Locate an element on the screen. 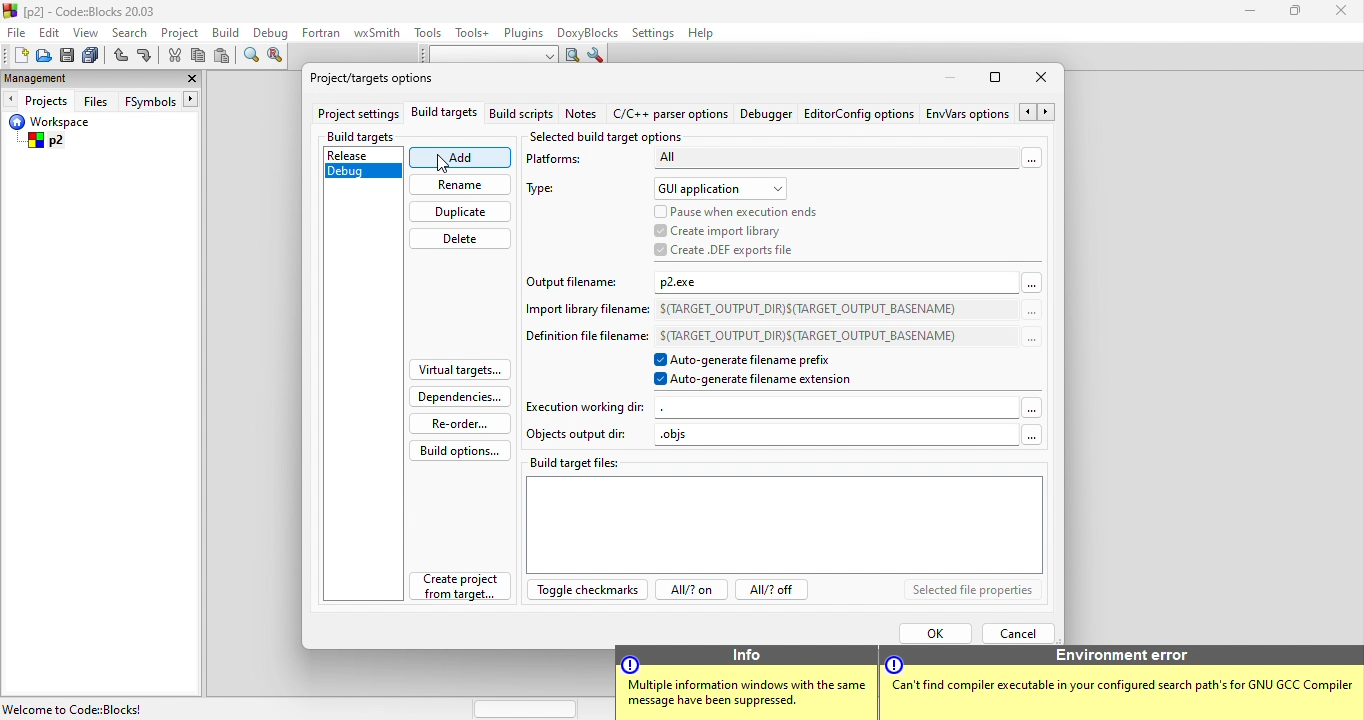 This screenshot has height=720, width=1364. projects is located at coordinates (37, 99).